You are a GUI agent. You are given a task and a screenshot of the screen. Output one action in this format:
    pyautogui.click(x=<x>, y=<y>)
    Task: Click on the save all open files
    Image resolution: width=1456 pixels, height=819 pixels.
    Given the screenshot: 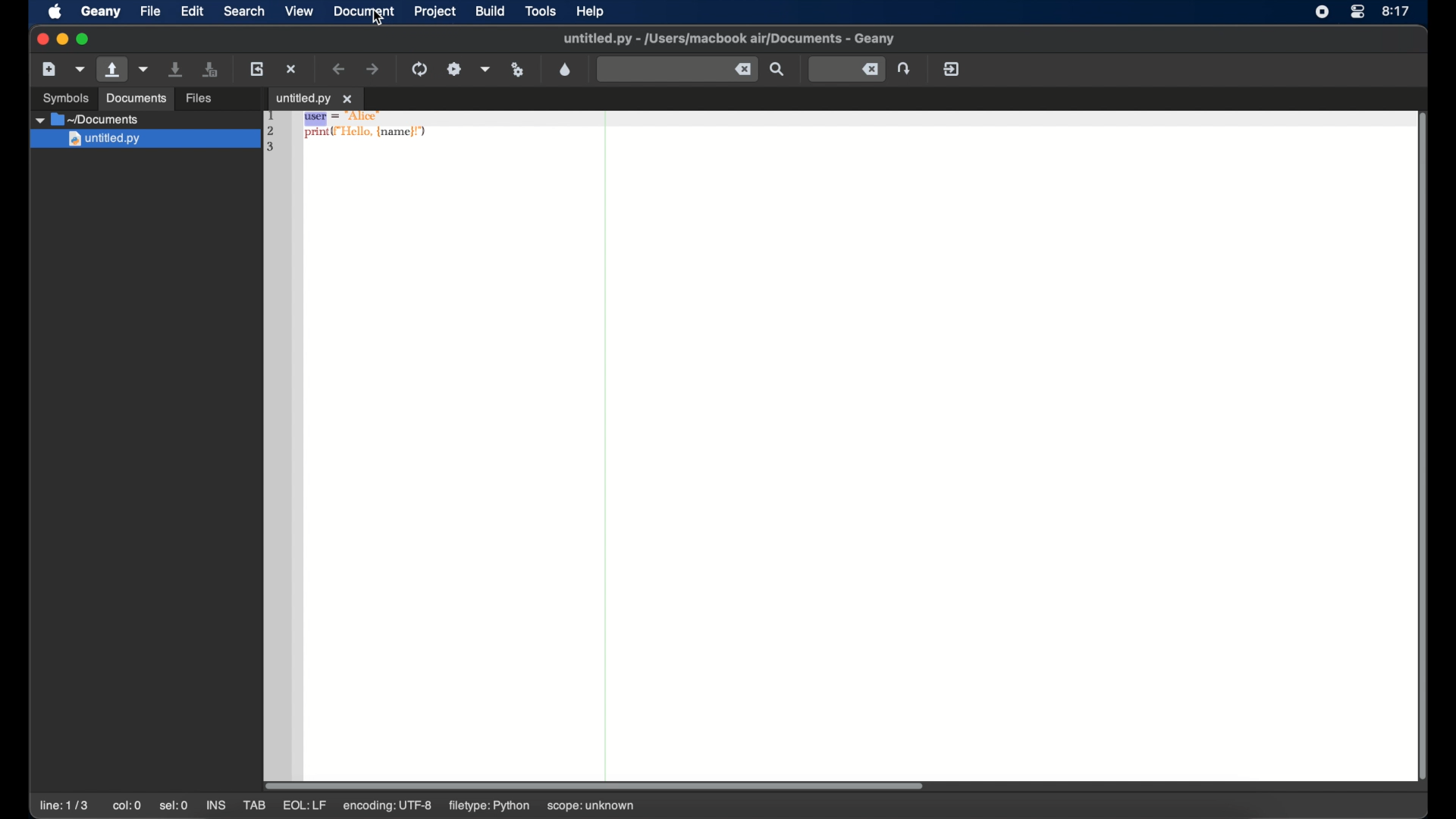 What is the action you would take?
    pyautogui.click(x=210, y=69)
    